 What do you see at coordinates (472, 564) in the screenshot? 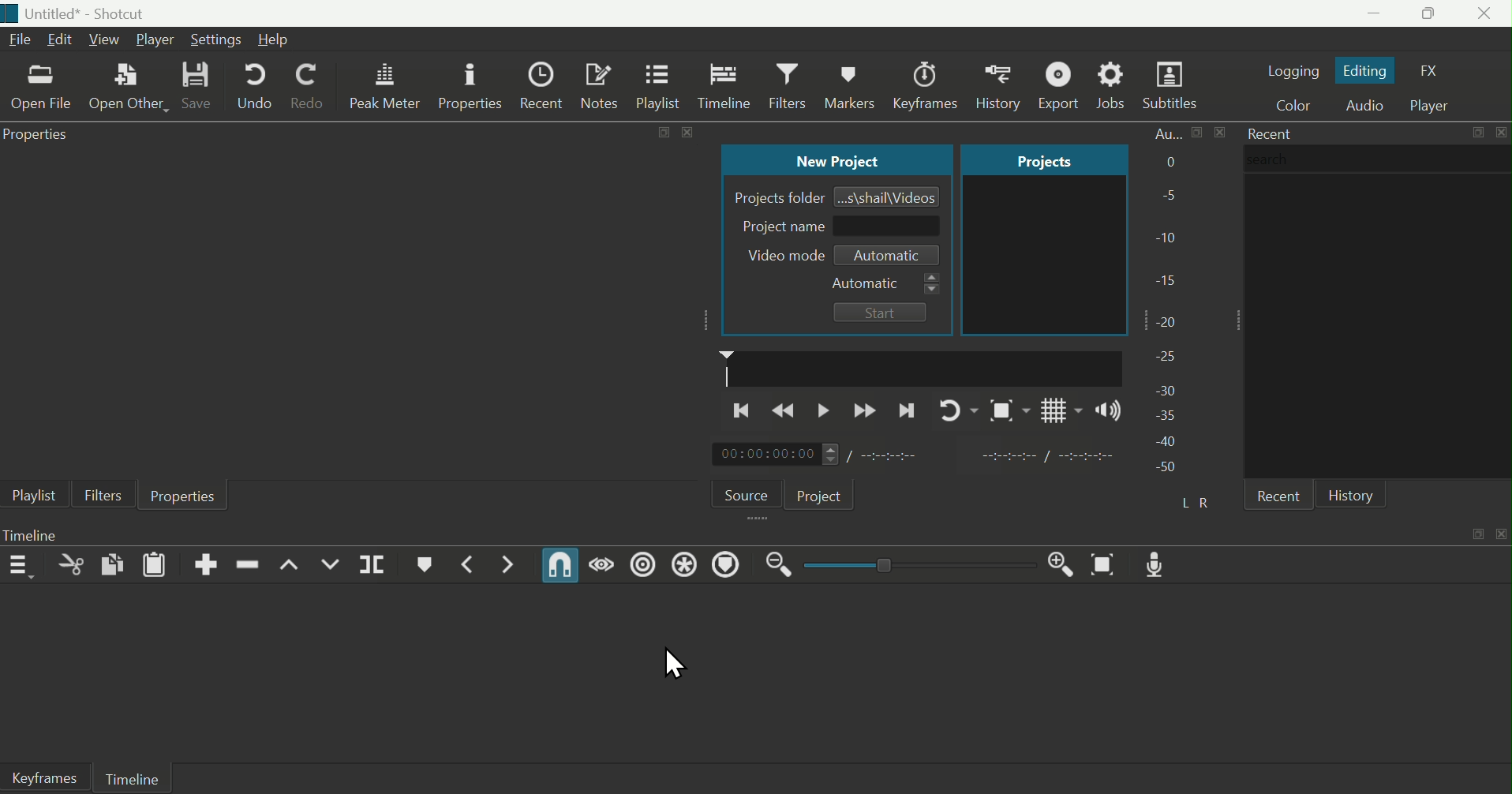
I see `Previous Marker` at bounding box center [472, 564].